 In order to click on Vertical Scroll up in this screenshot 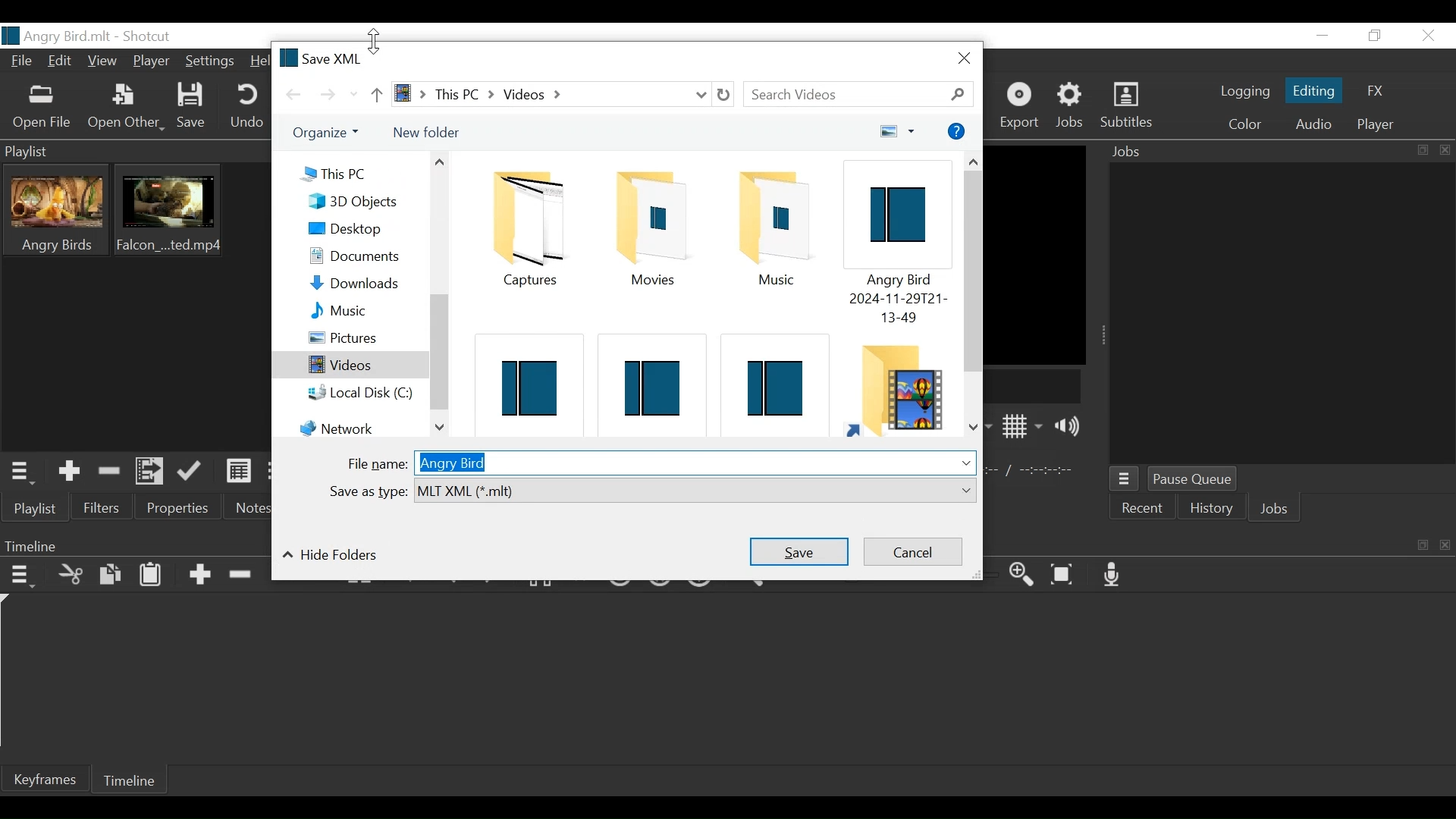, I will do `click(977, 272)`.